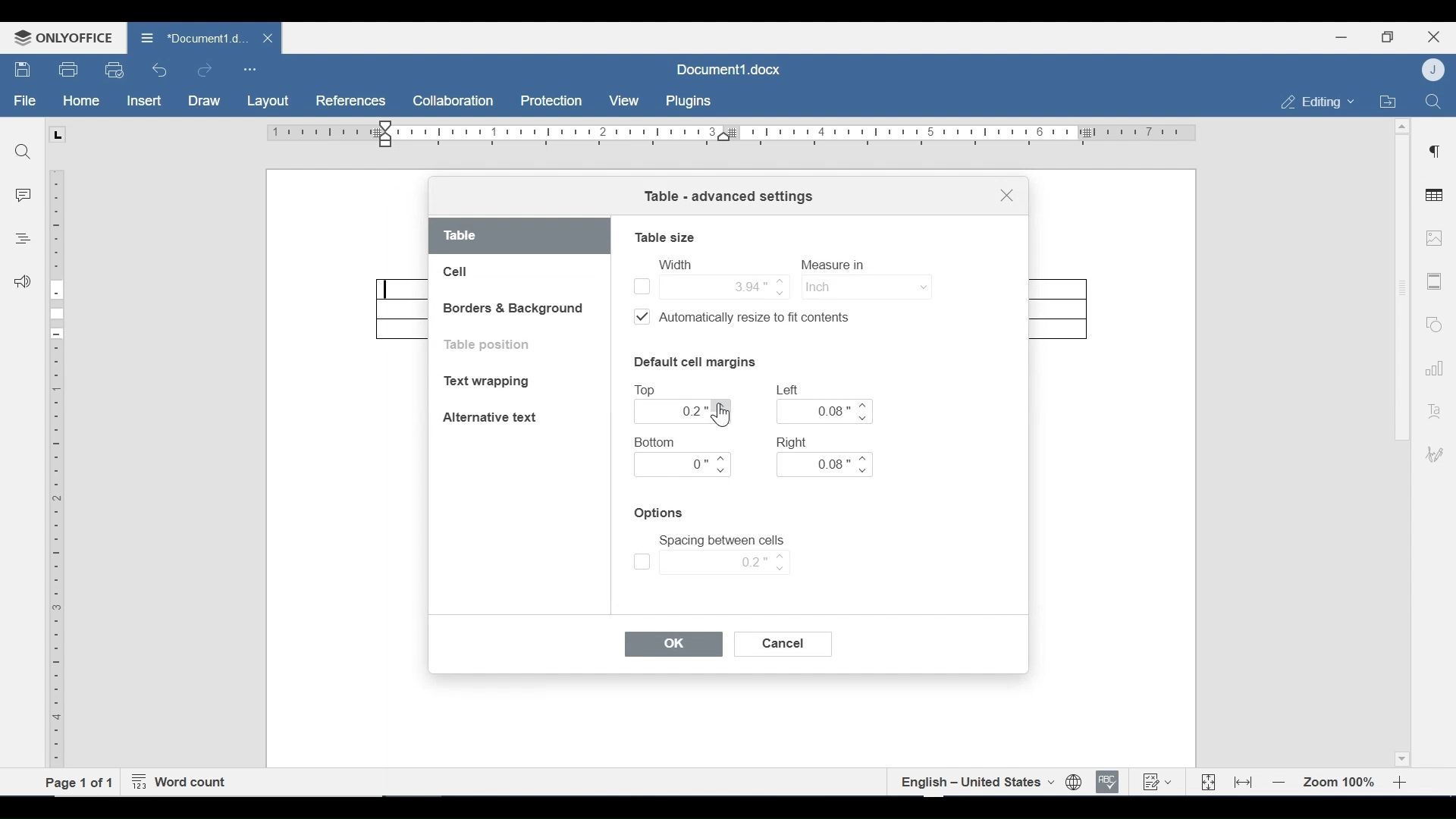 Image resolution: width=1456 pixels, height=819 pixels. I want to click on Table, so click(520, 237).